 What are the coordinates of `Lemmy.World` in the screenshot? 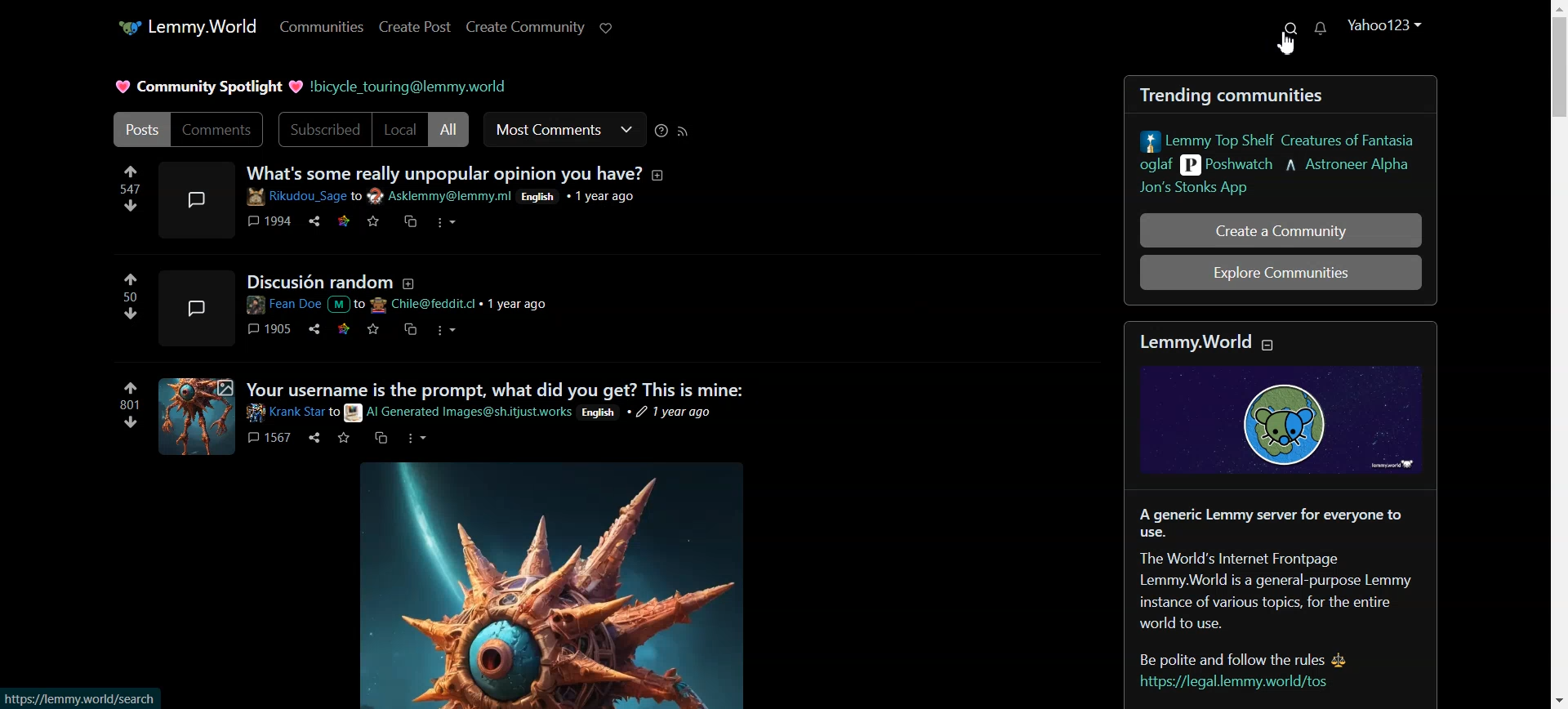 It's located at (1212, 343).